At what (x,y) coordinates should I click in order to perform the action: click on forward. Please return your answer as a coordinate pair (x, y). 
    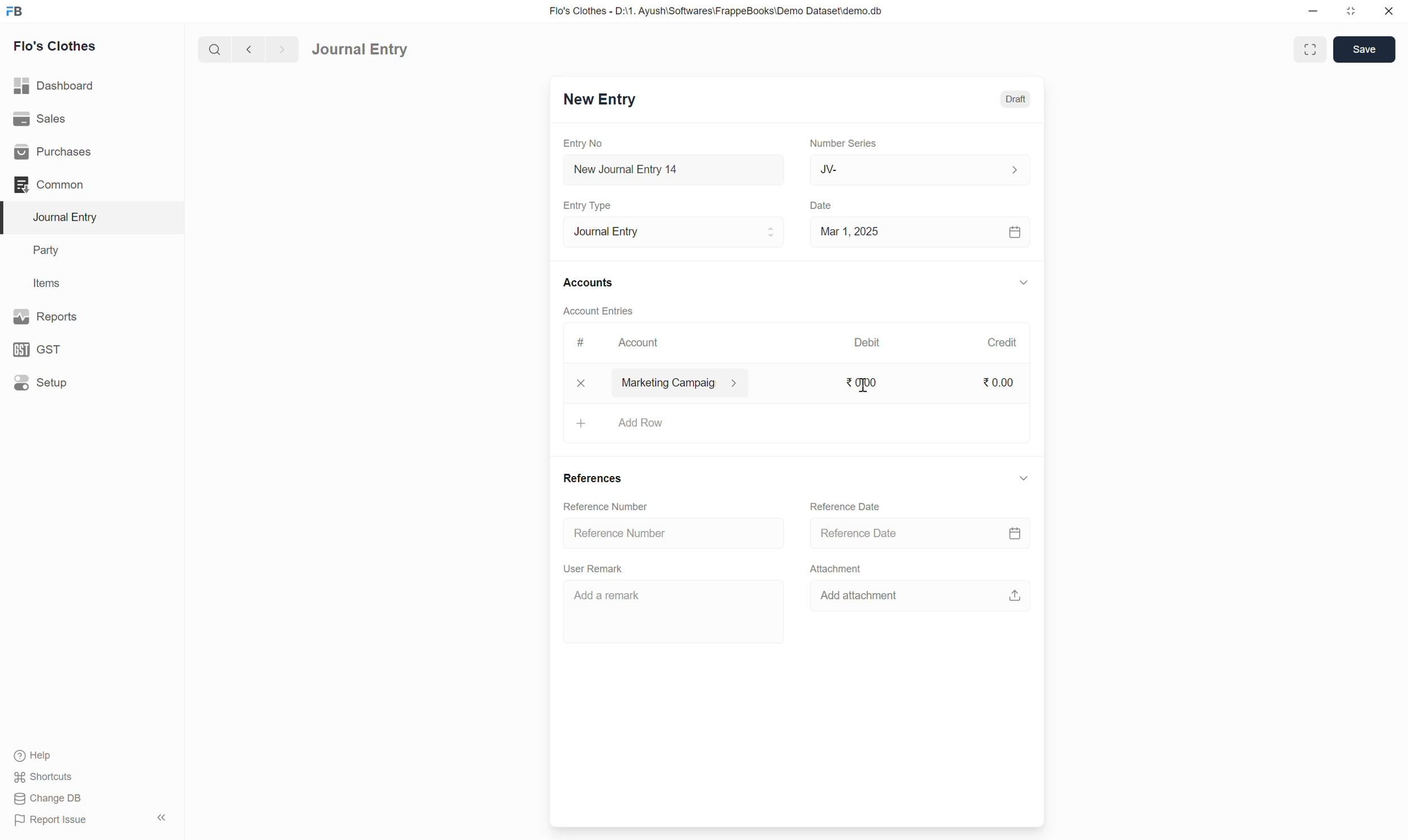
    Looking at the image, I should click on (280, 50).